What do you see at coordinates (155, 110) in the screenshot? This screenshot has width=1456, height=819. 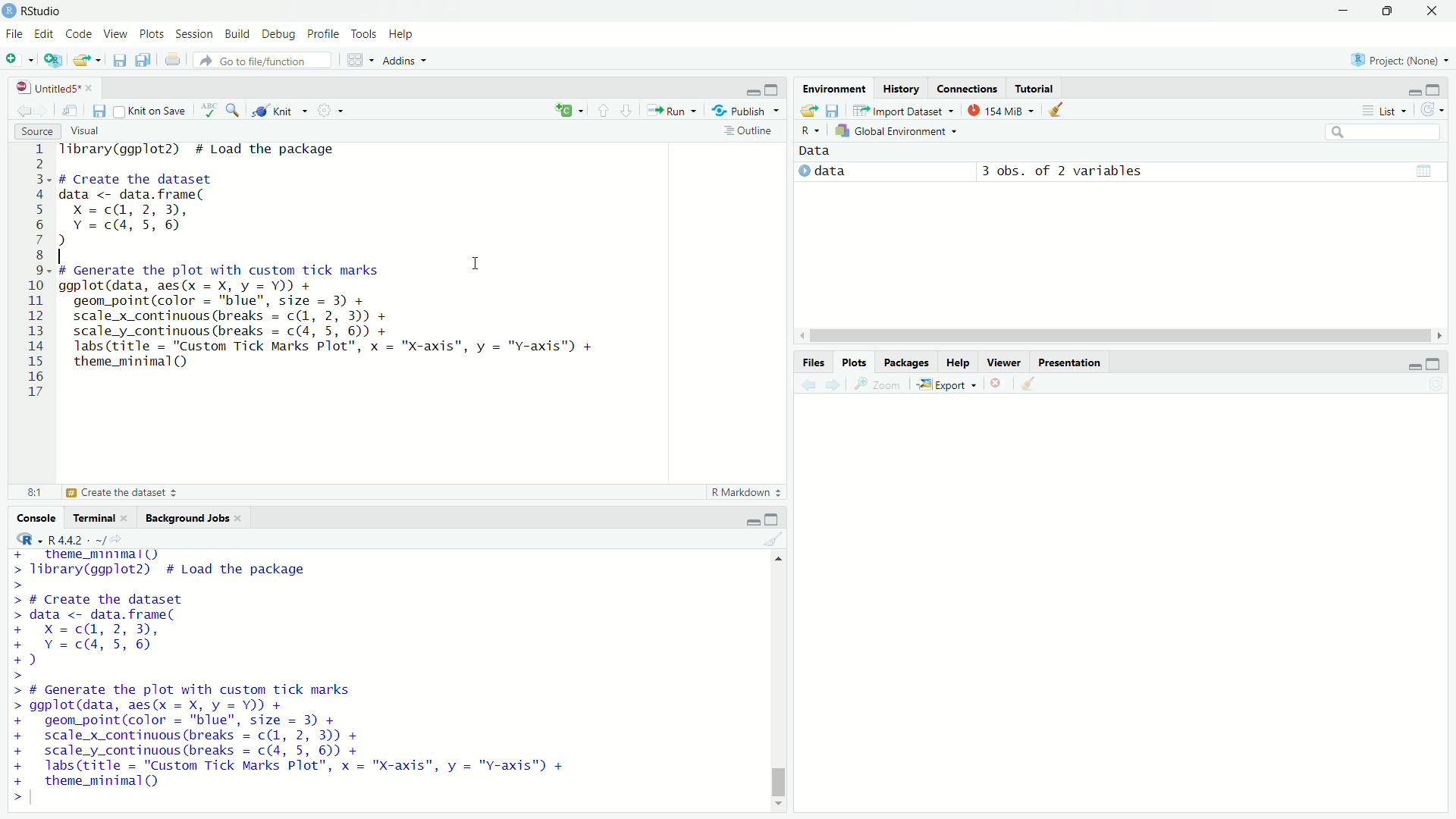 I see `knit on save` at bounding box center [155, 110].